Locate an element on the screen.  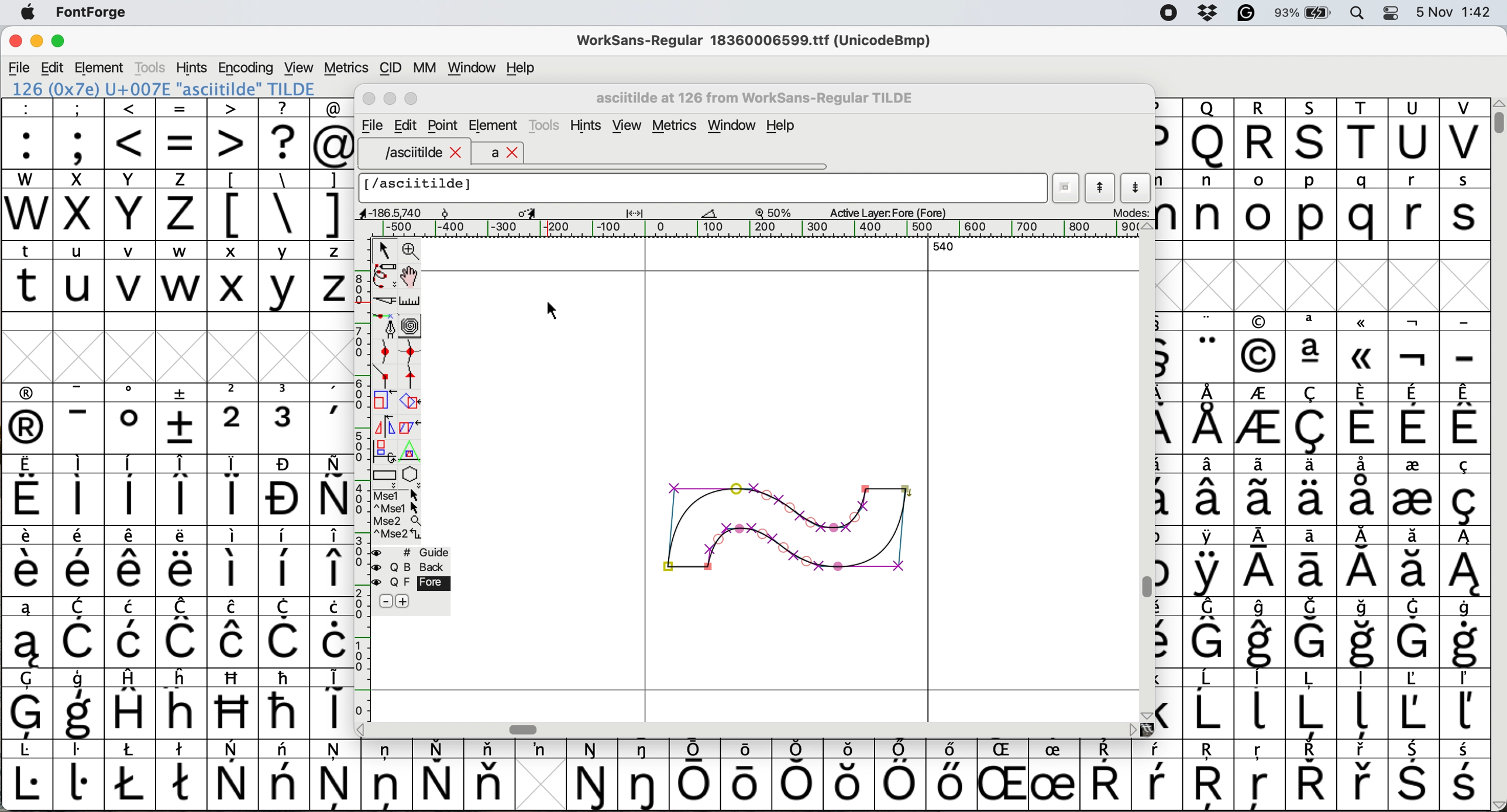
more options is located at coordinates (398, 514).